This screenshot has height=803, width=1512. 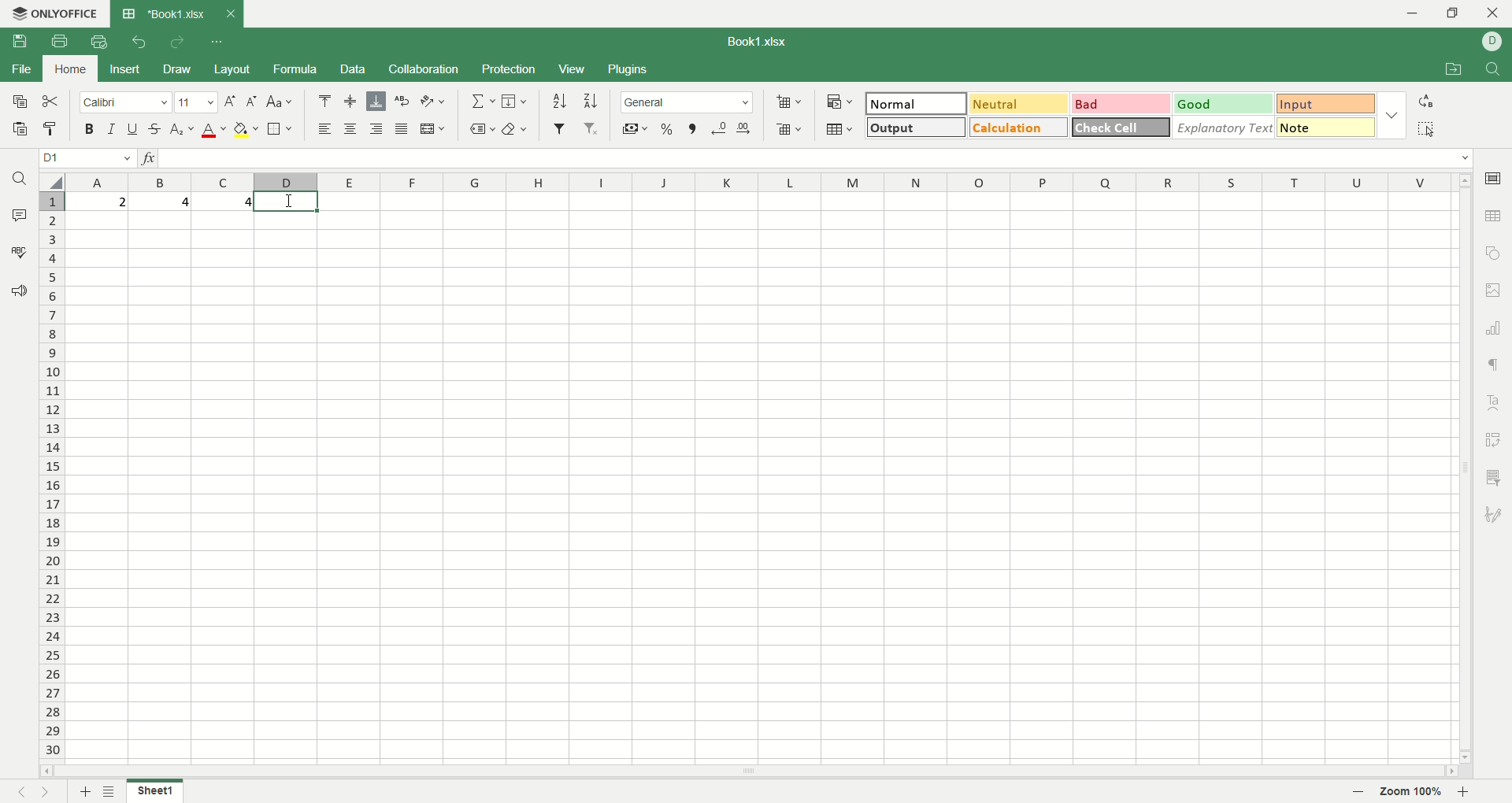 I want to click on font color, so click(x=212, y=131).